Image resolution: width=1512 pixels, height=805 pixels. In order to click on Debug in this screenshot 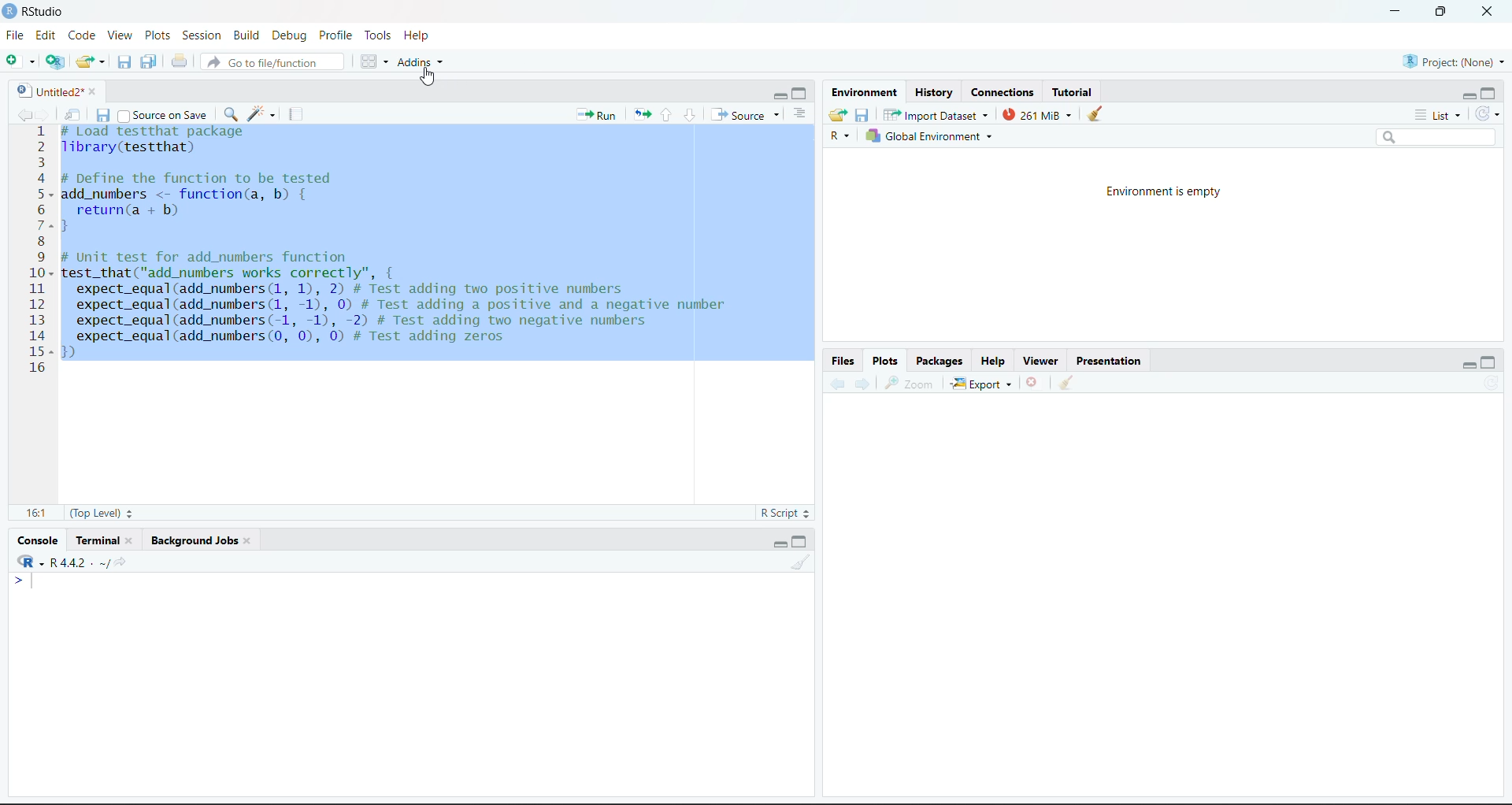, I will do `click(289, 36)`.